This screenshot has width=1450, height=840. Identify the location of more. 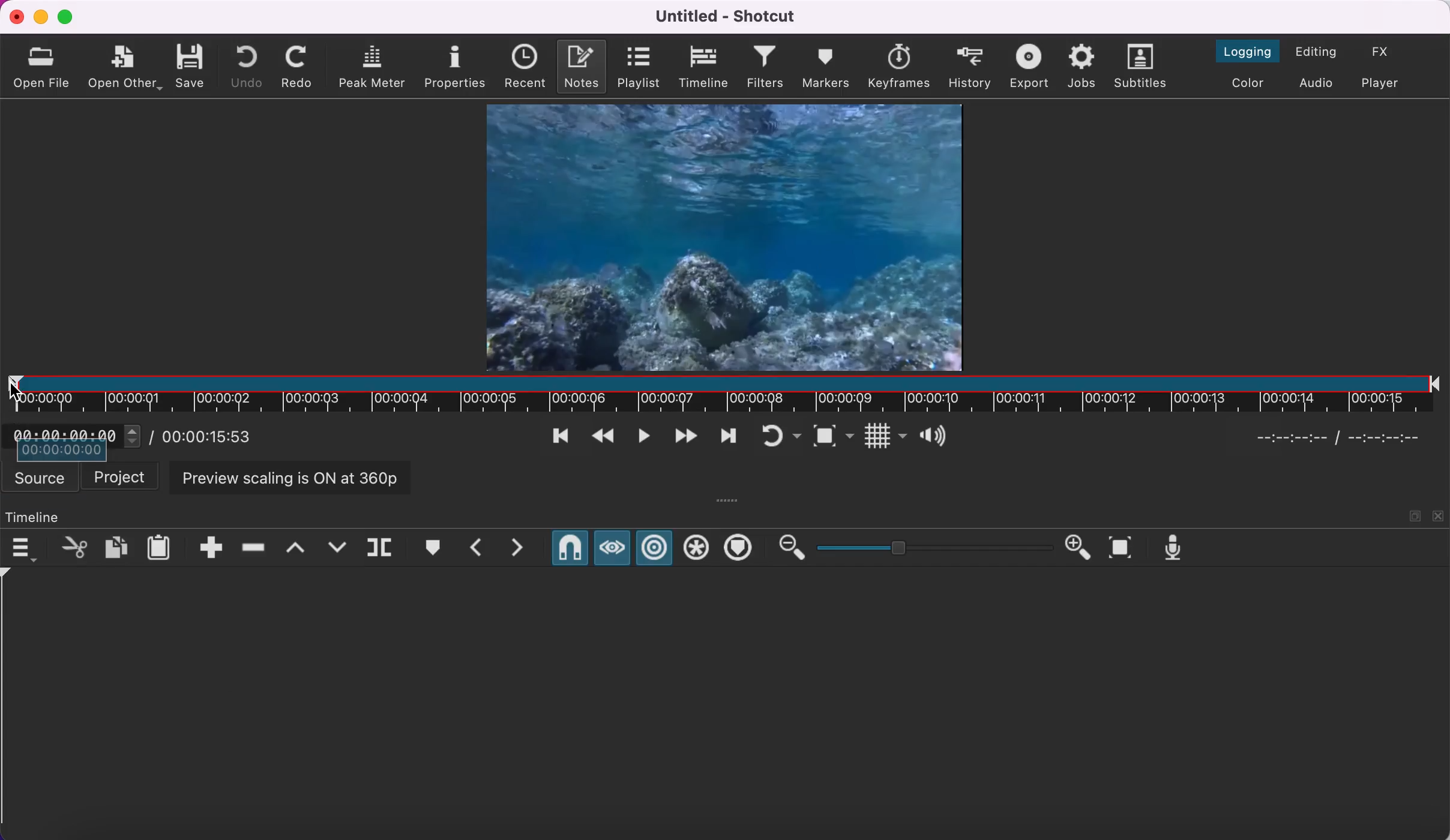
(730, 499).